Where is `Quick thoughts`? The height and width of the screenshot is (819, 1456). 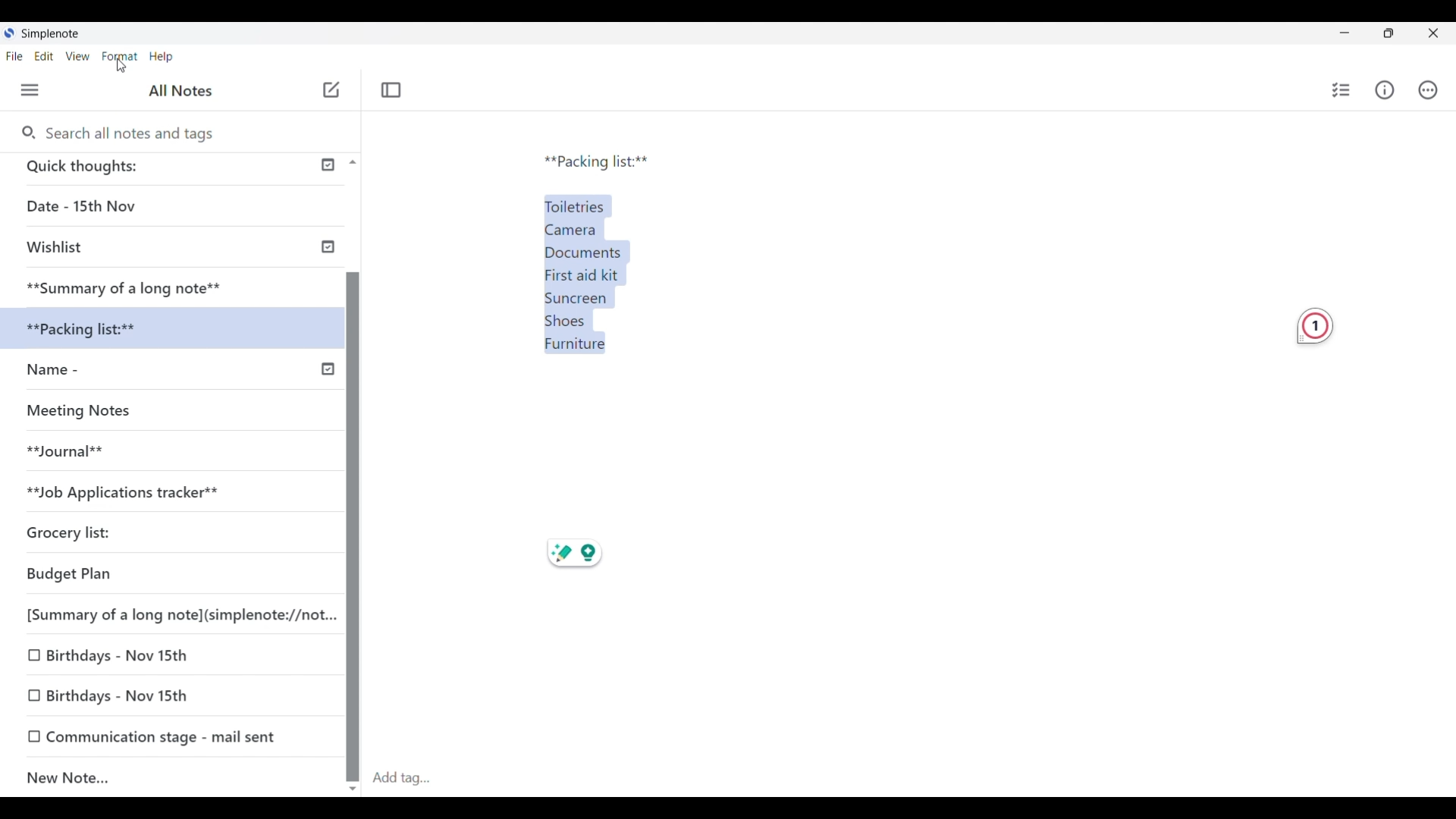 Quick thoughts is located at coordinates (143, 168).